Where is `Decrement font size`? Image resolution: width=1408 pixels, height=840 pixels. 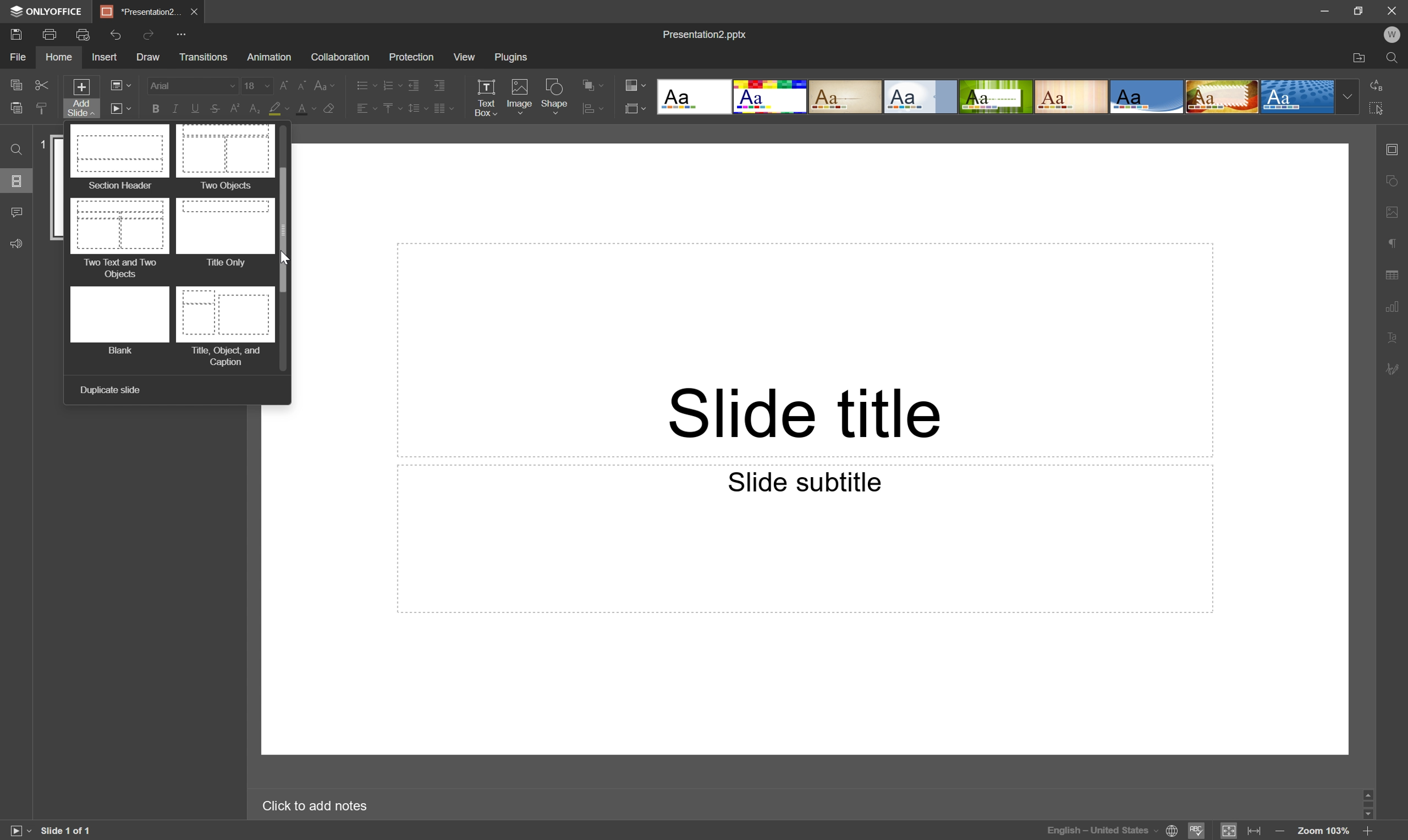 Decrement font size is located at coordinates (303, 83).